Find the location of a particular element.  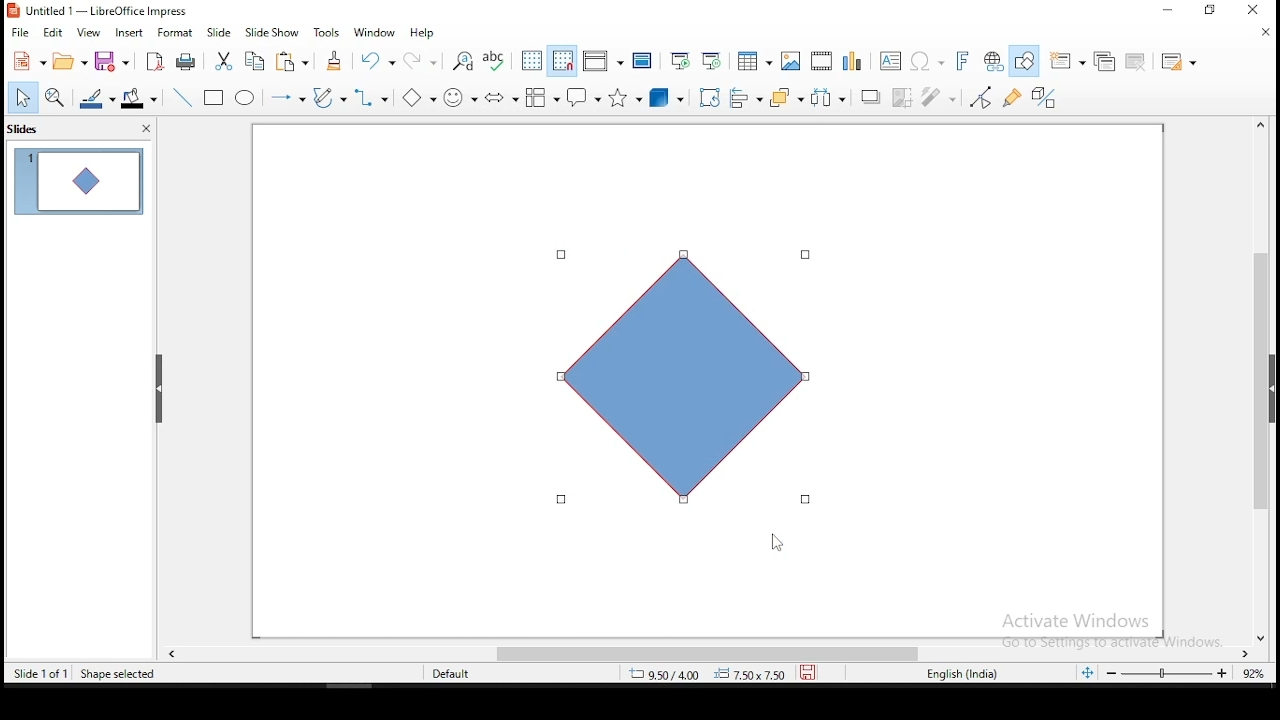

scroll right is located at coordinates (172, 651).